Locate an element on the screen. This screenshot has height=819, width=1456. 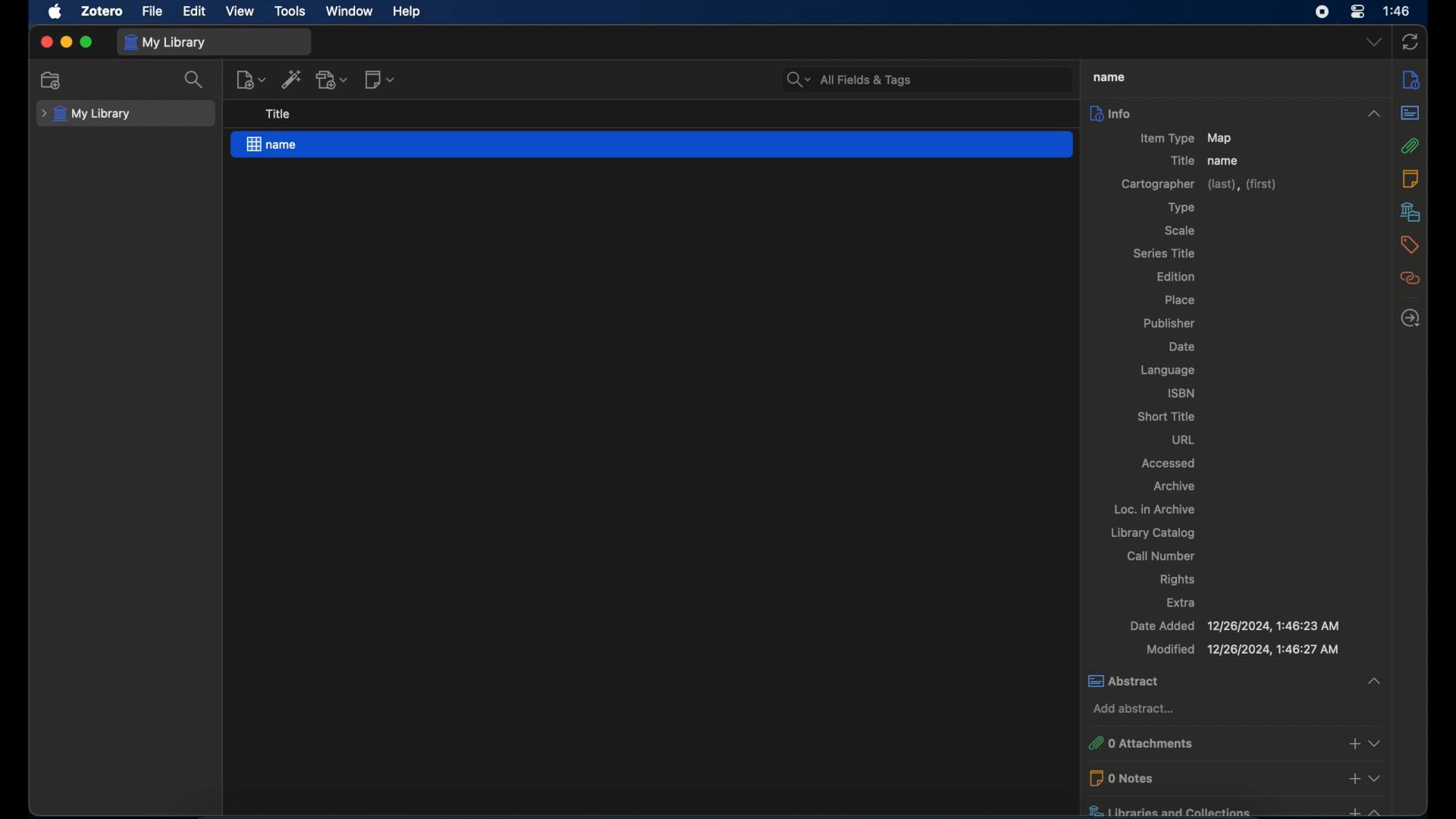
name is located at coordinates (1109, 78).